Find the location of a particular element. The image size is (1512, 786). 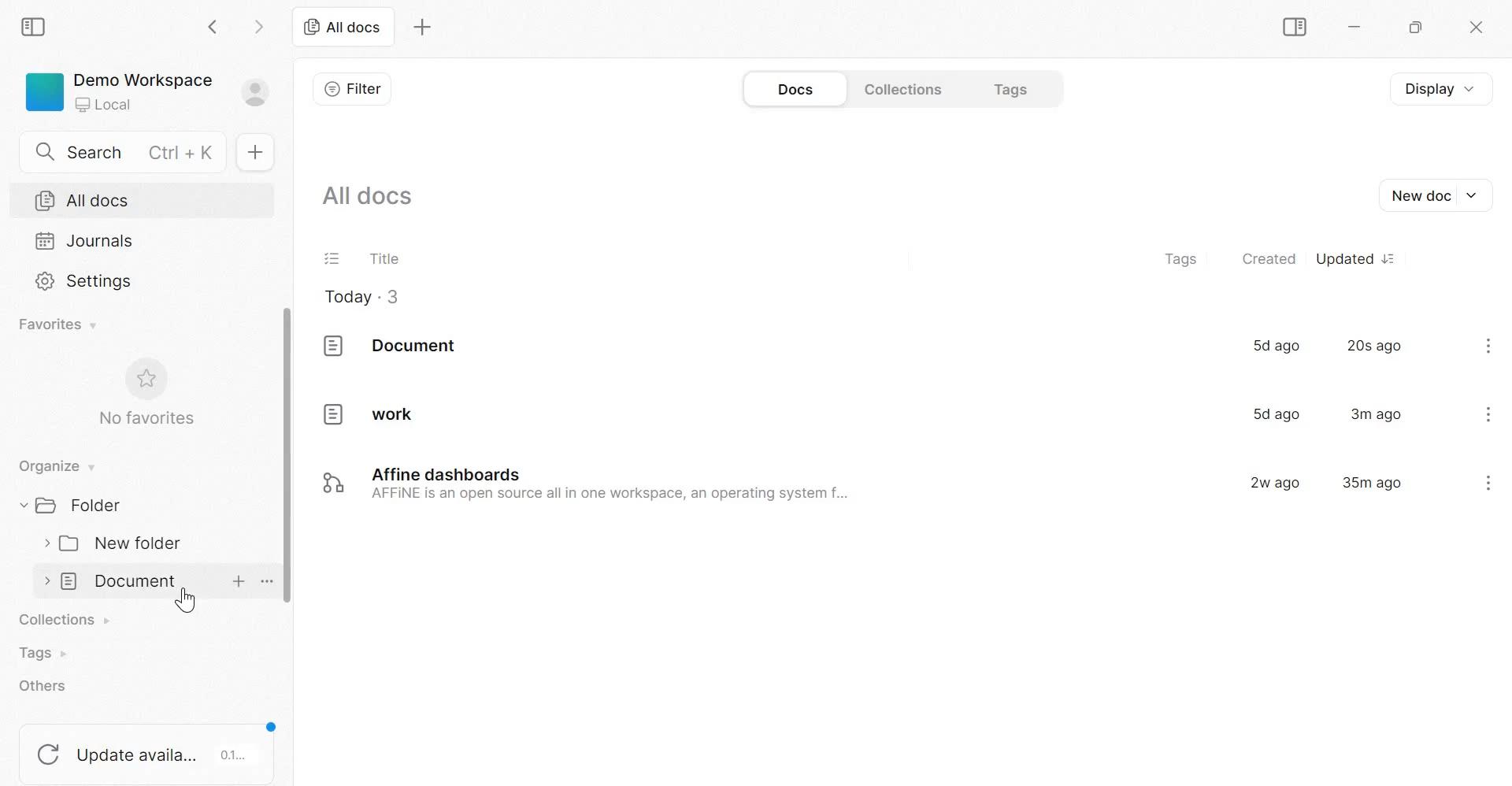

kebab menu is located at coordinates (1490, 413).